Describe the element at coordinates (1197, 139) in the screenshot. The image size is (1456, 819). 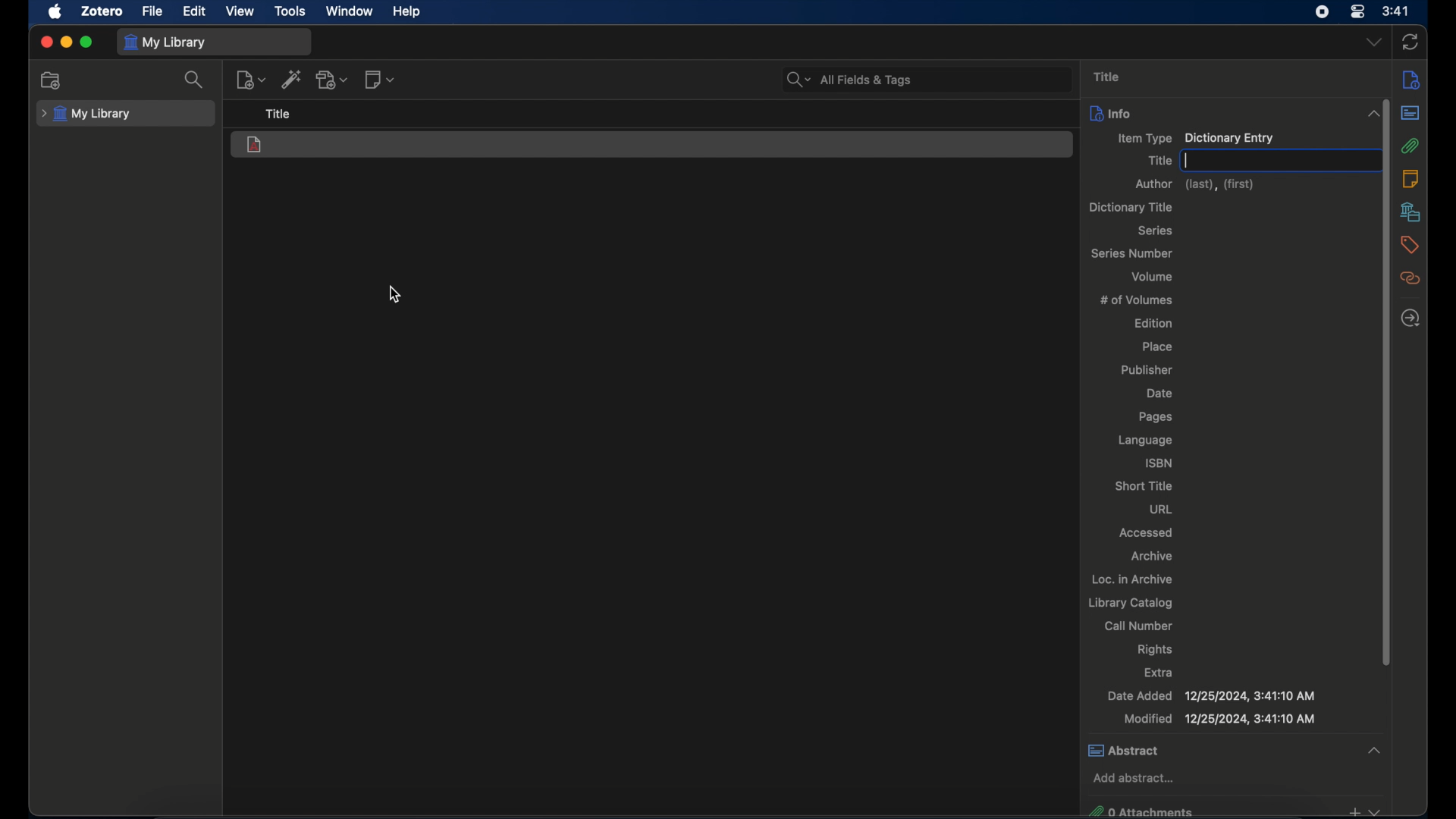
I see `item type` at that location.